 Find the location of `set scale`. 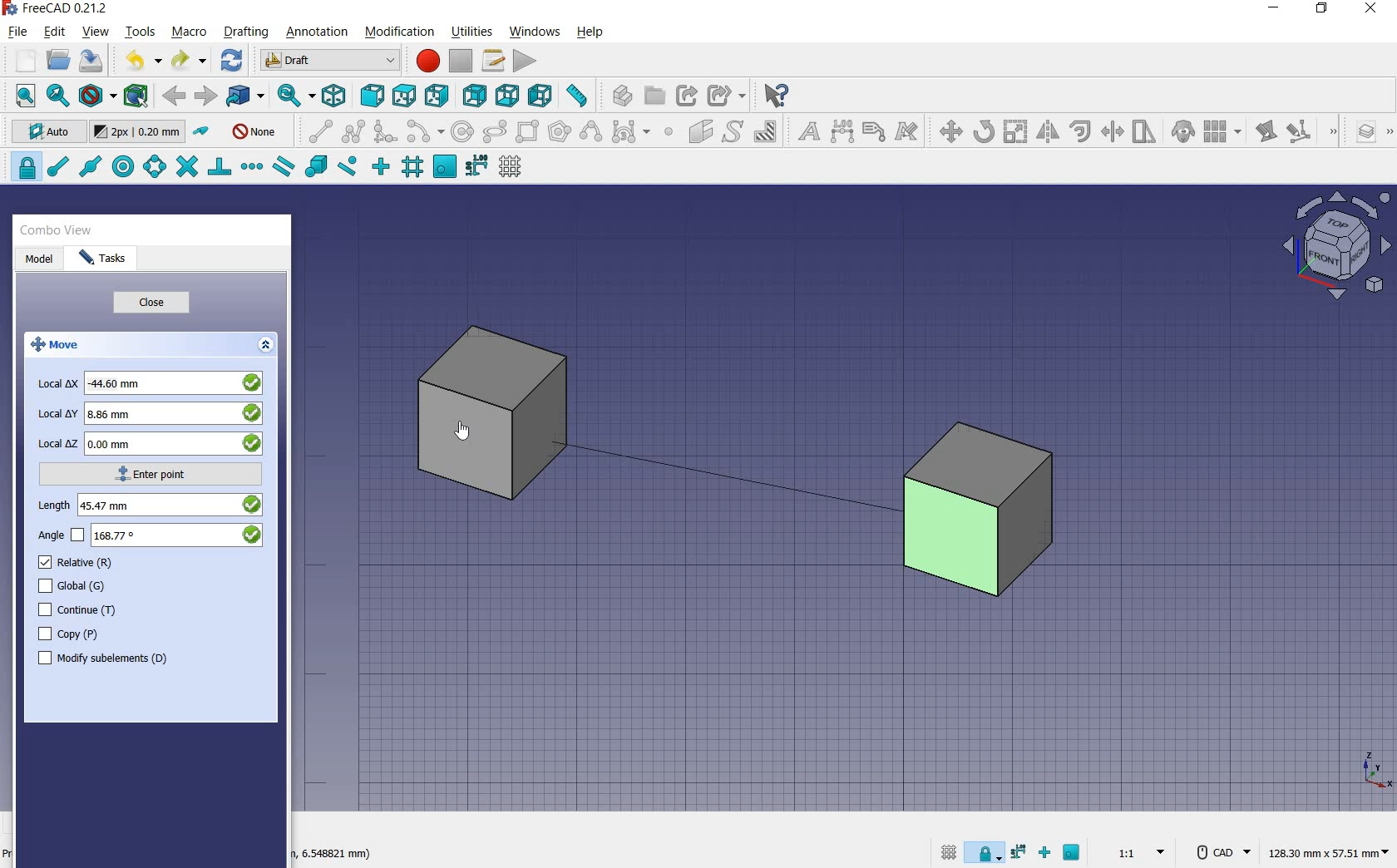

set scale is located at coordinates (1140, 852).